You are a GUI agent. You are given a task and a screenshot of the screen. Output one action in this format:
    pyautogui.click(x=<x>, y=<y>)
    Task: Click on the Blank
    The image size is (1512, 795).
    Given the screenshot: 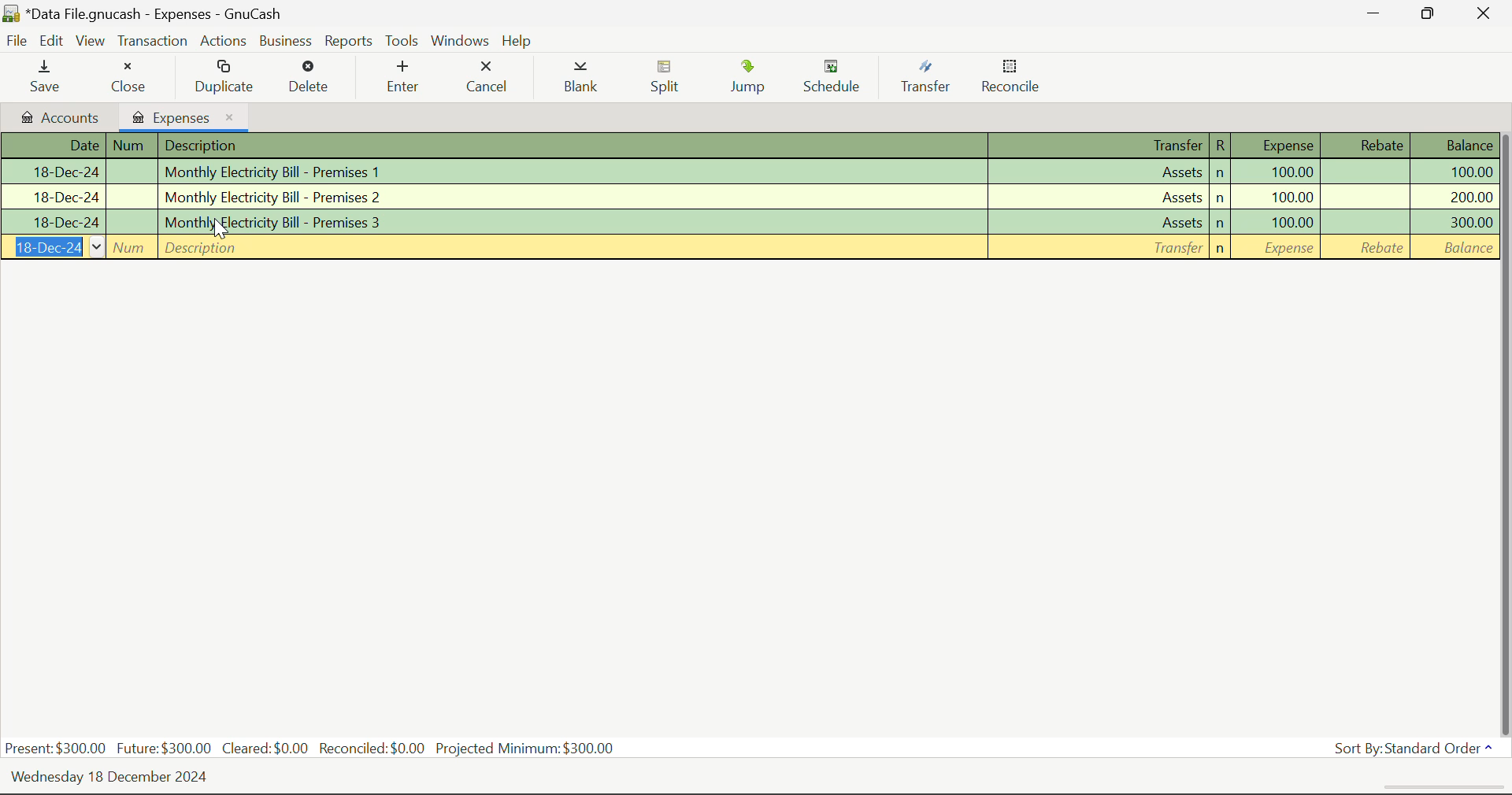 What is the action you would take?
    pyautogui.click(x=586, y=79)
    